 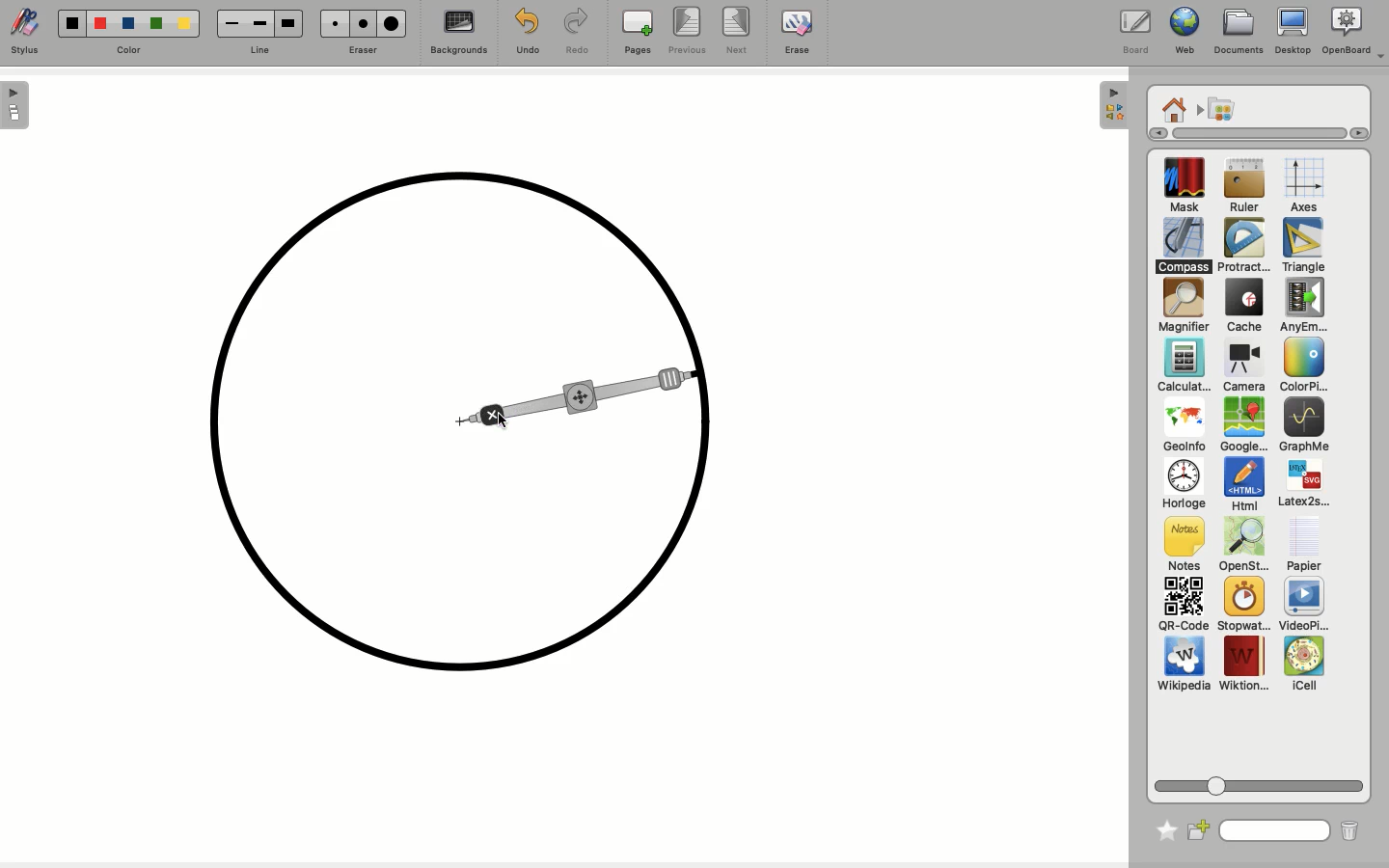 I want to click on Redo, so click(x=578, y=33).